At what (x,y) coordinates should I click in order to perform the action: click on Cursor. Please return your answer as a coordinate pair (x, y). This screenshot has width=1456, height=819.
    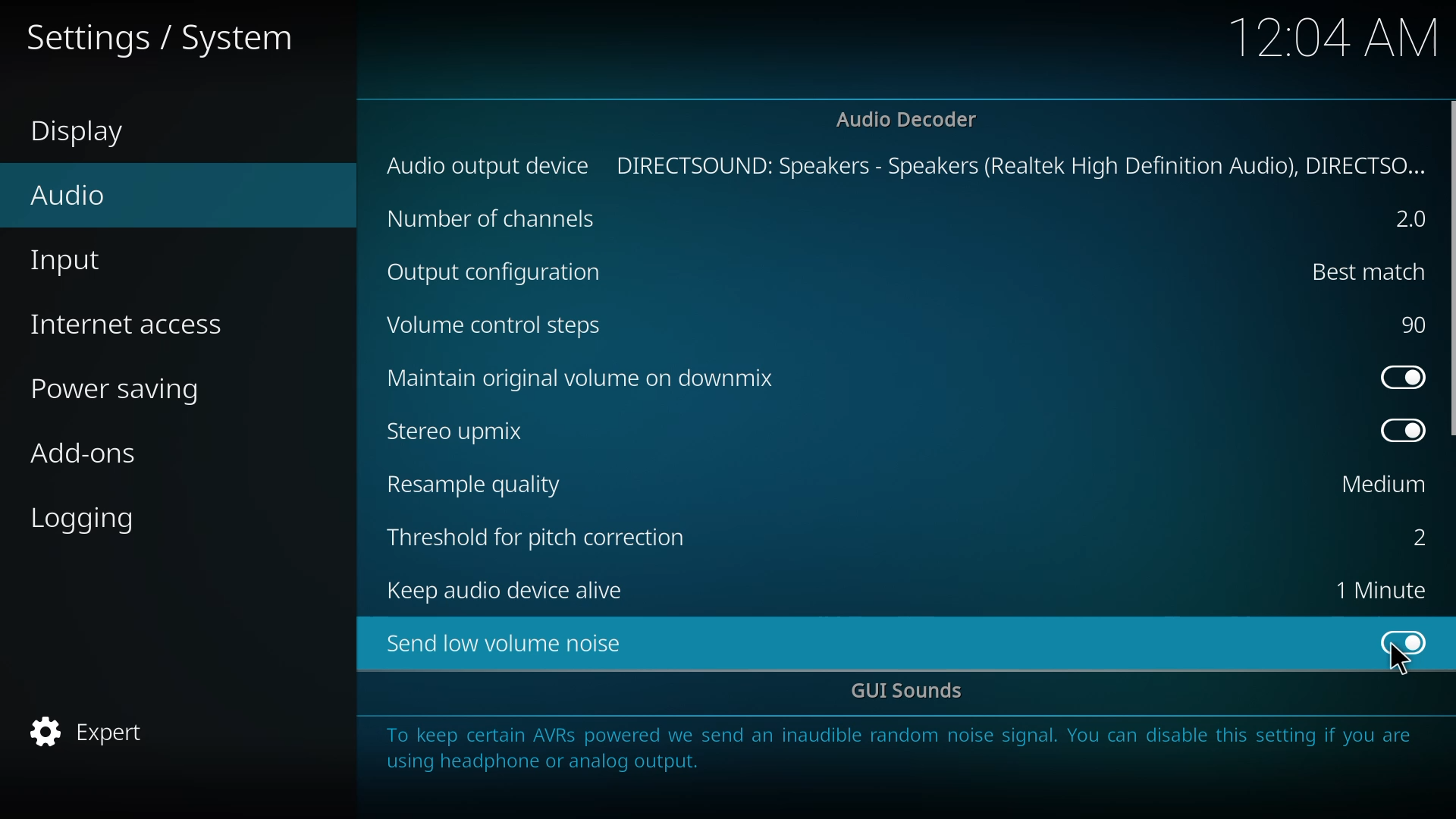
    Looking at the image, I should click on (1398, 661).